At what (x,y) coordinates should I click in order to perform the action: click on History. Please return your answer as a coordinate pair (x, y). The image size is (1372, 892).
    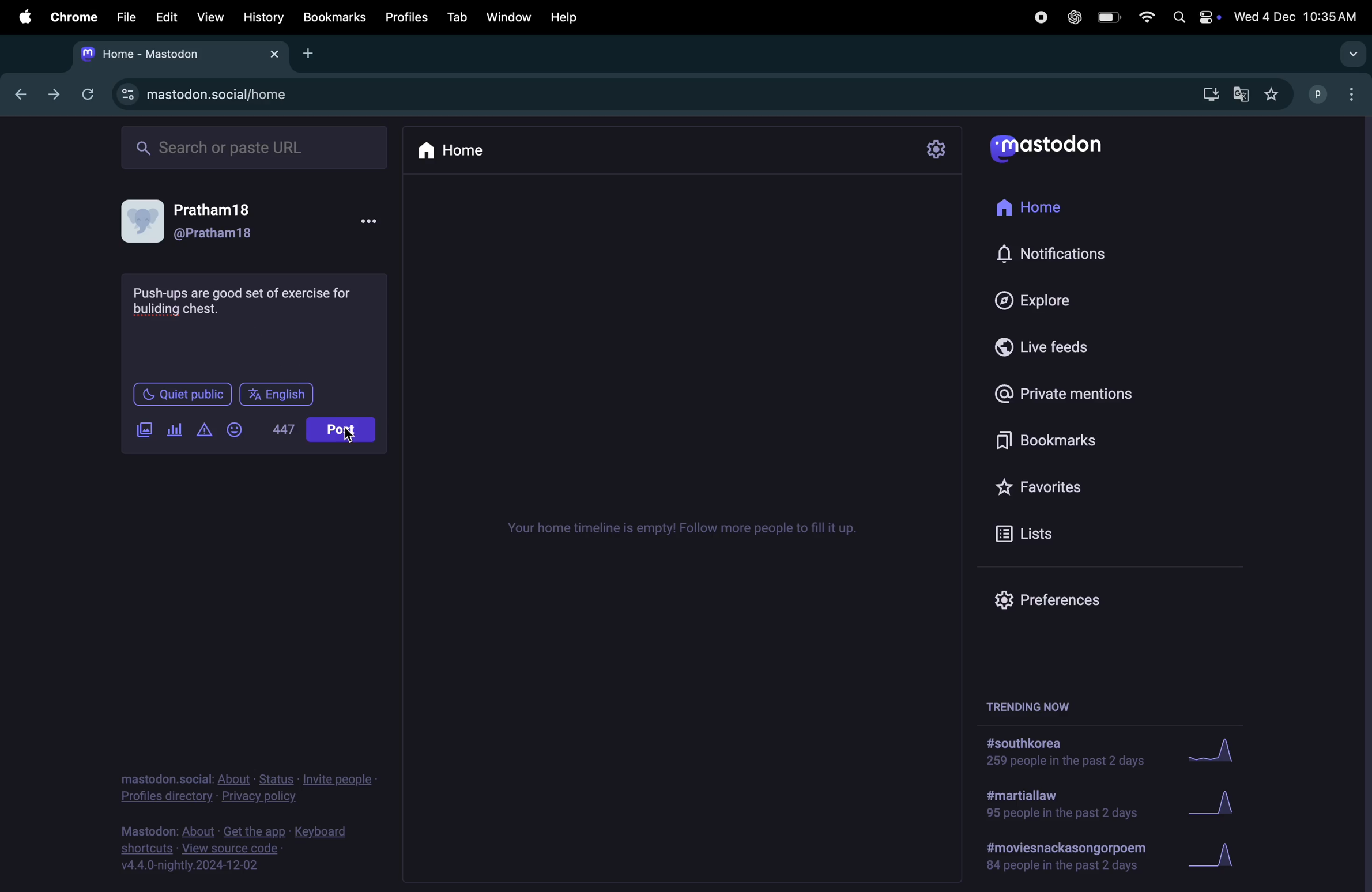
    Looking at the image, I should click on (263, 17).